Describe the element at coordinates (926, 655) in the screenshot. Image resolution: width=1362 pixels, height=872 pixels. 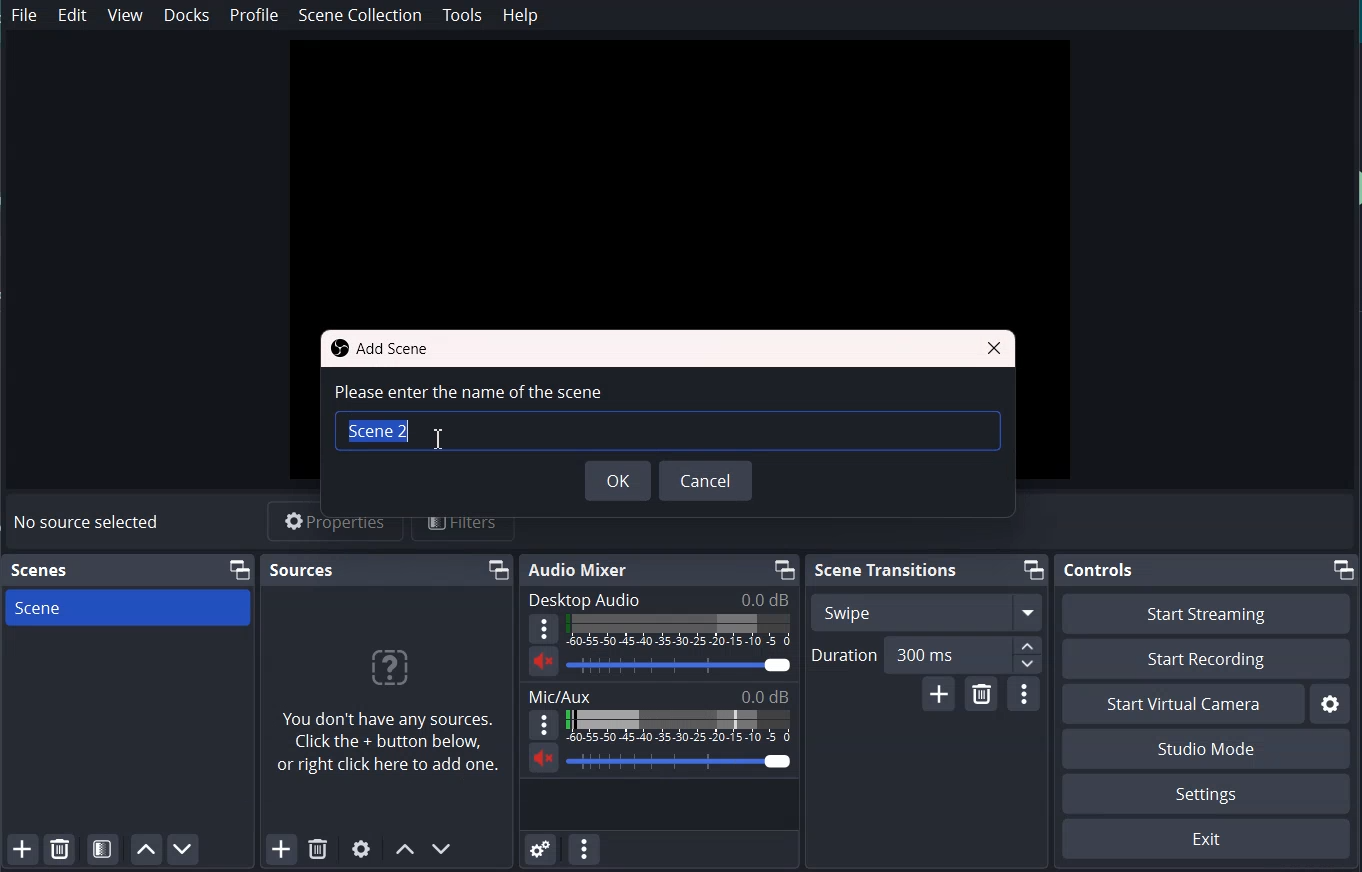
I see `Duration` at that location.